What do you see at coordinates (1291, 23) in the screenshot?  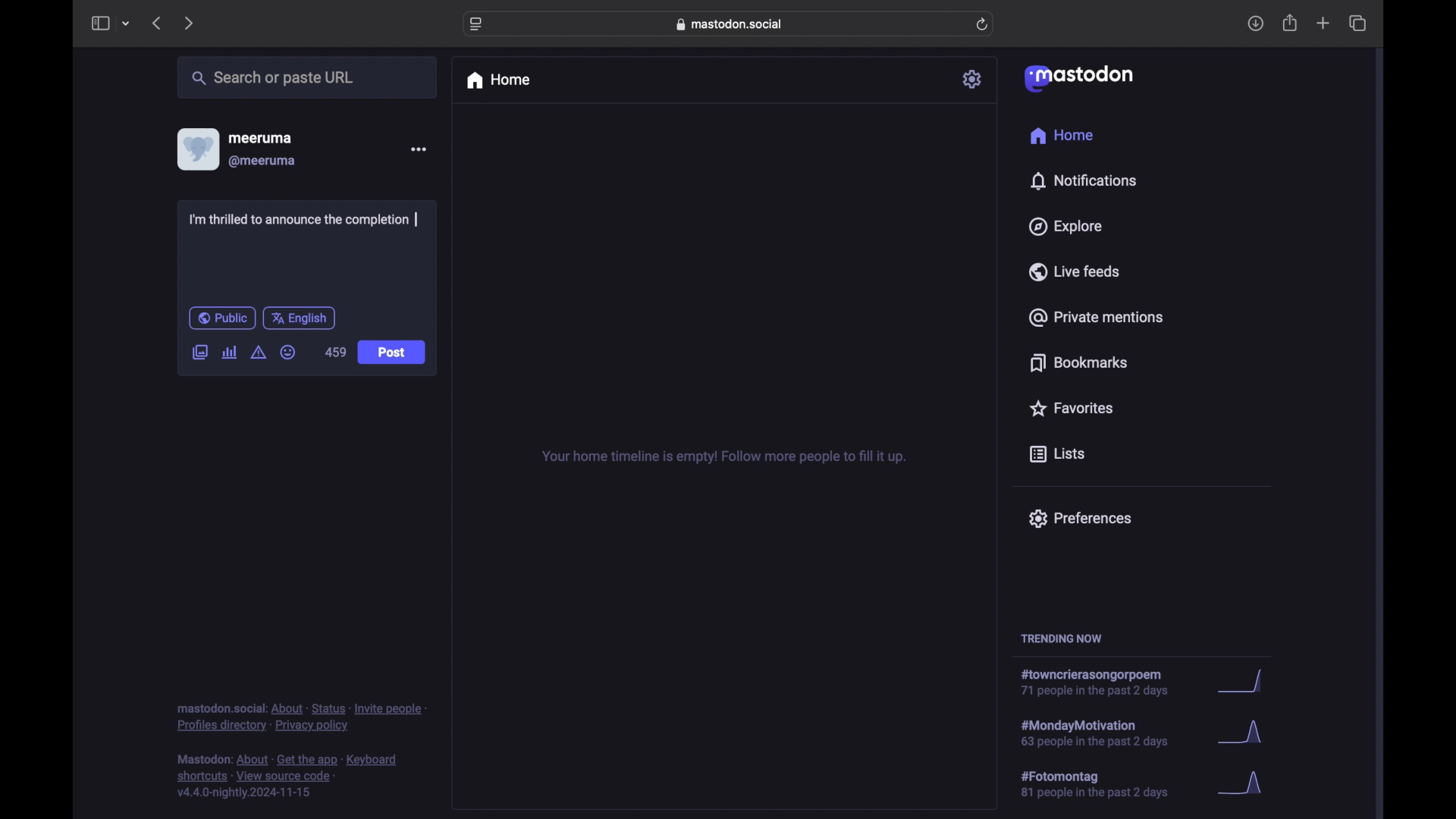 I see `share` at bounding box center [1291, 23].